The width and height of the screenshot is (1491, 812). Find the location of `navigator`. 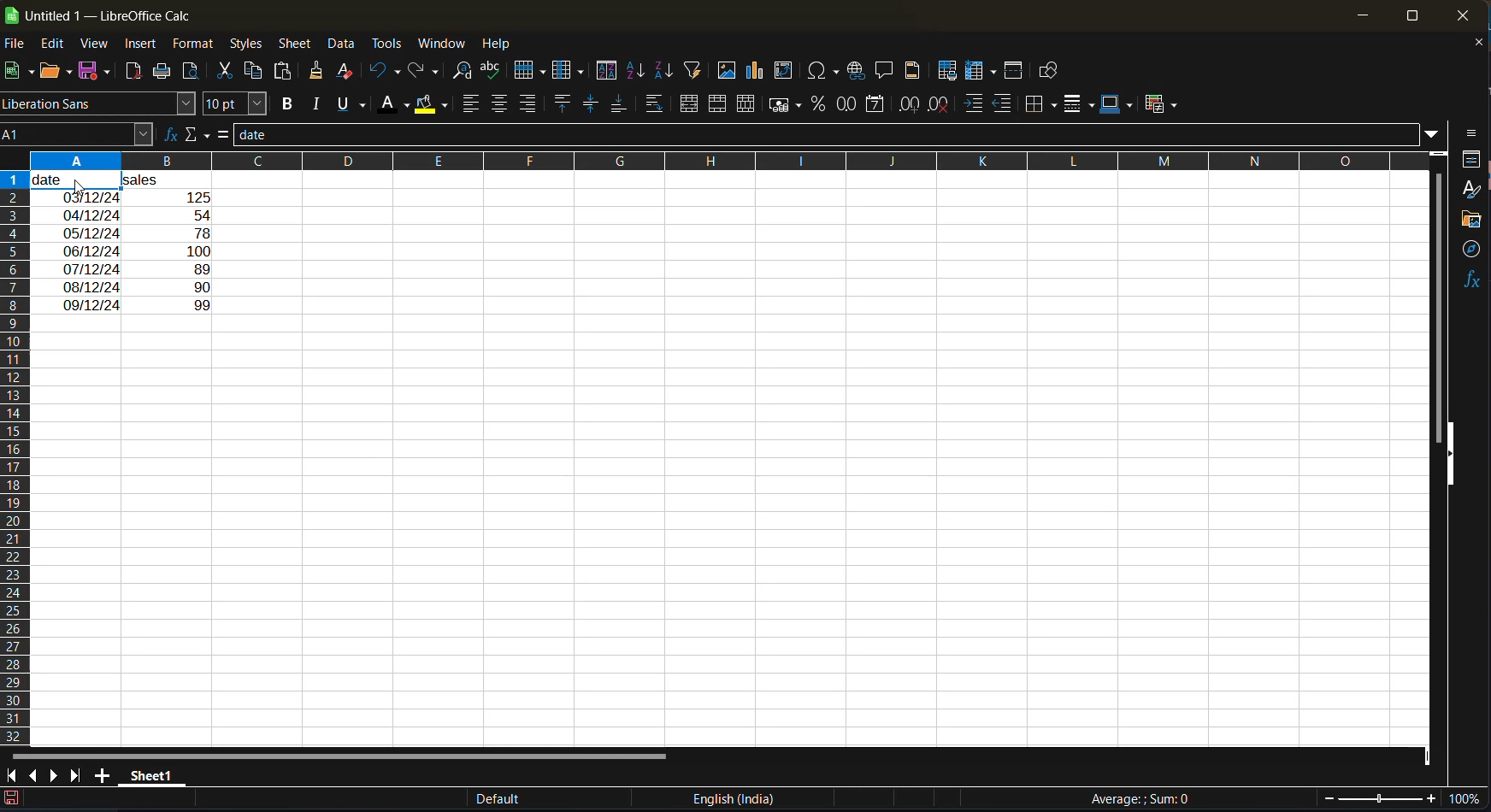

navigator is located at coordinates (1470, 250).